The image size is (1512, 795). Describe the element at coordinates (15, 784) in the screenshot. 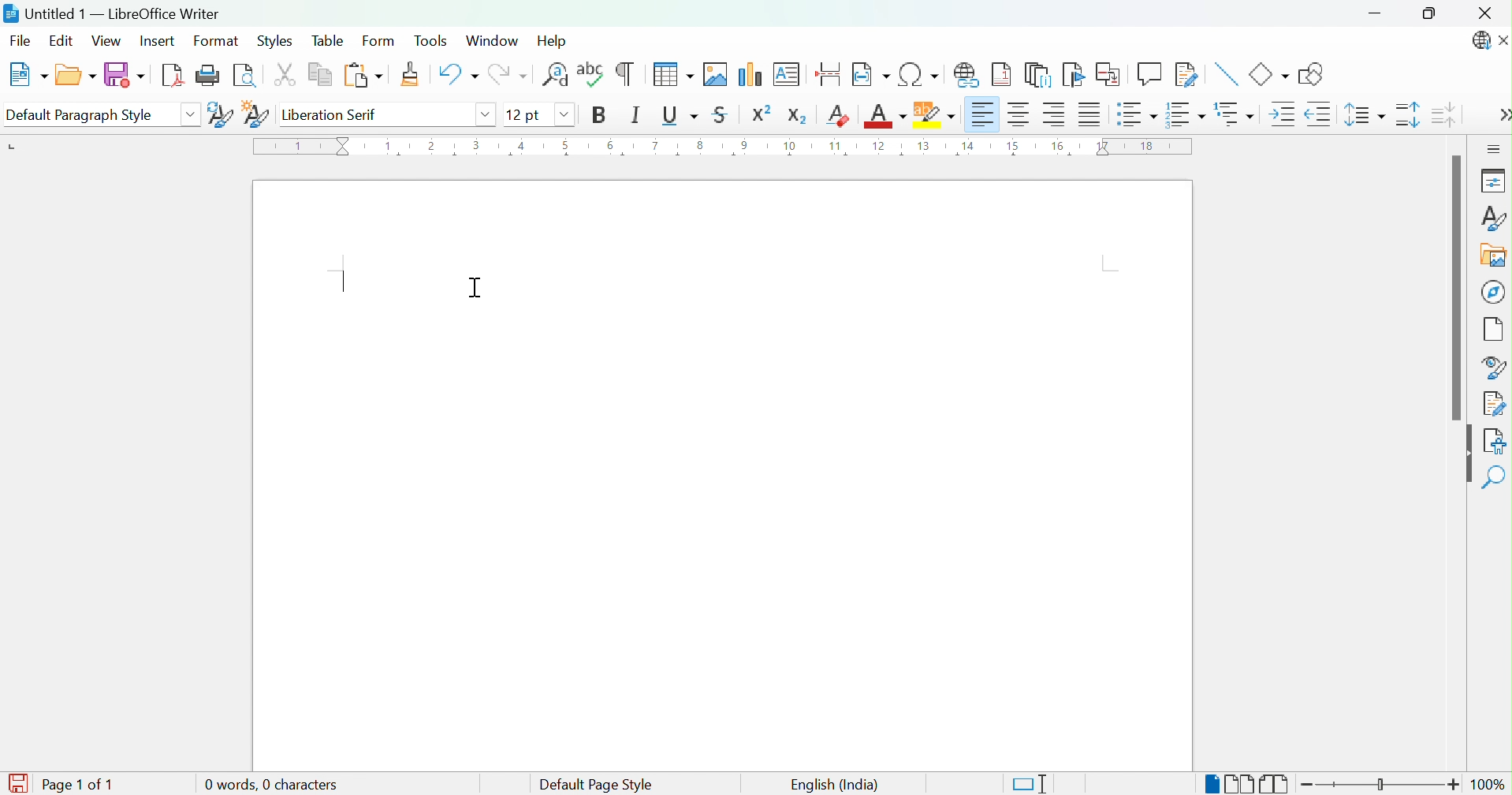

I see `The document is modified. Click to save the document.` at that location.